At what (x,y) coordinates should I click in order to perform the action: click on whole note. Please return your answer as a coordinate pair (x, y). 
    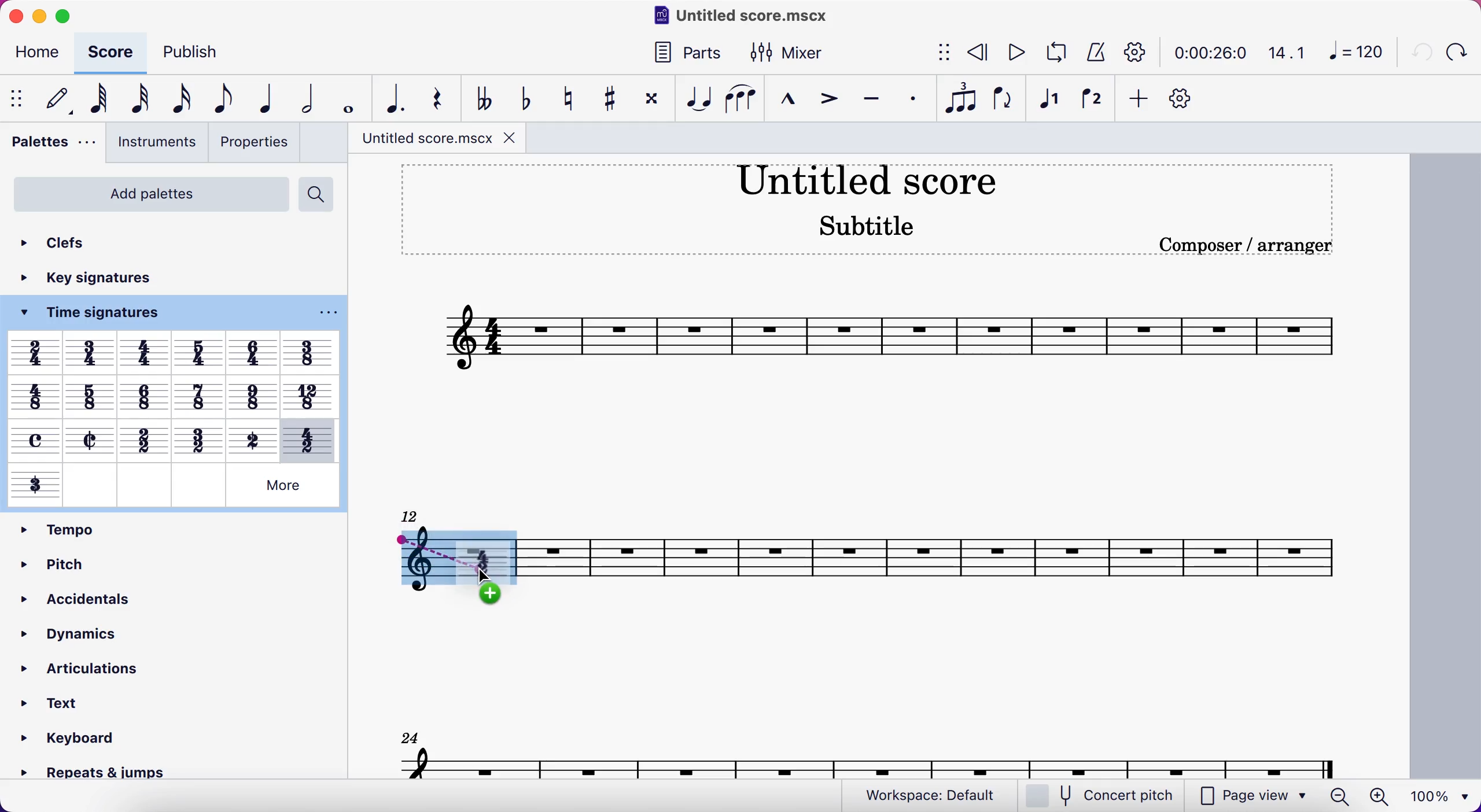
    Looking at the image, I should click on (349, 98).